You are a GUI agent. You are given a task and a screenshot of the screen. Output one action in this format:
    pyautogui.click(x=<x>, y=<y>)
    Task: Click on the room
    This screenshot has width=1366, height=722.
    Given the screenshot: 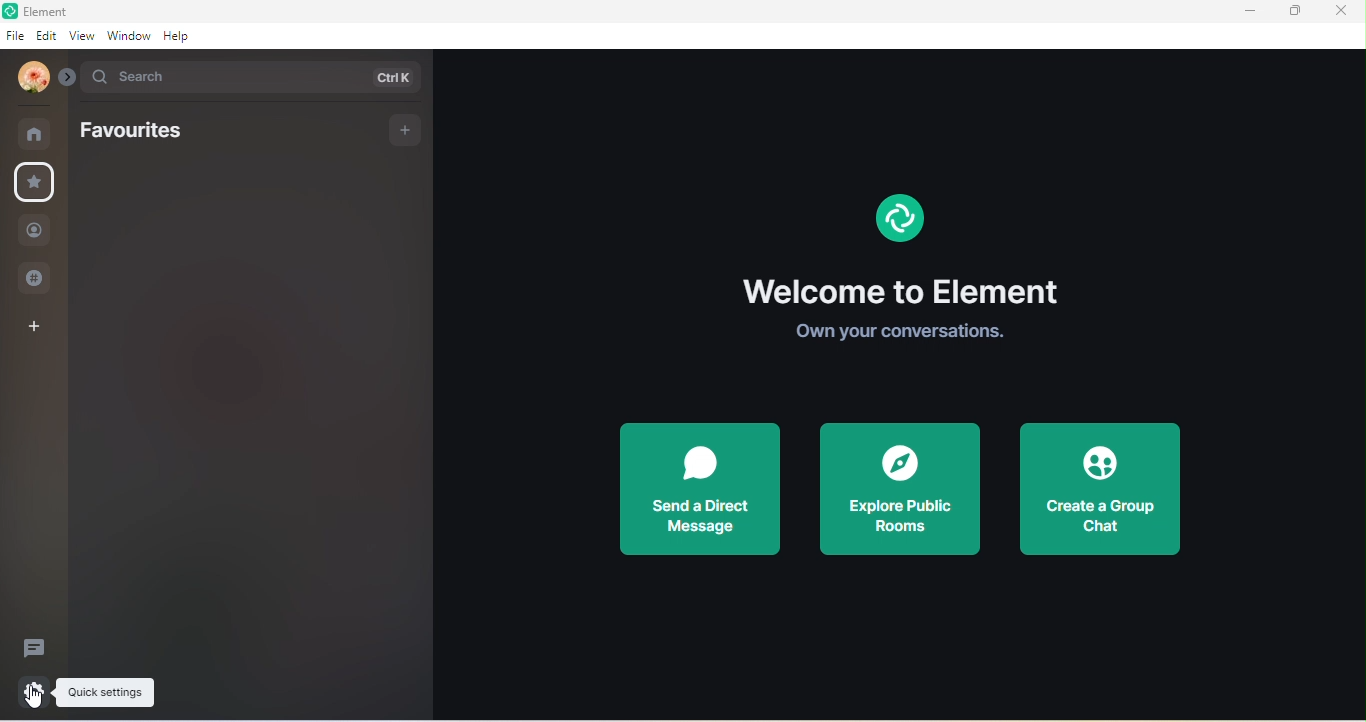 What is the action you would take?
    pyautogui.click(x=36, y=132)
    